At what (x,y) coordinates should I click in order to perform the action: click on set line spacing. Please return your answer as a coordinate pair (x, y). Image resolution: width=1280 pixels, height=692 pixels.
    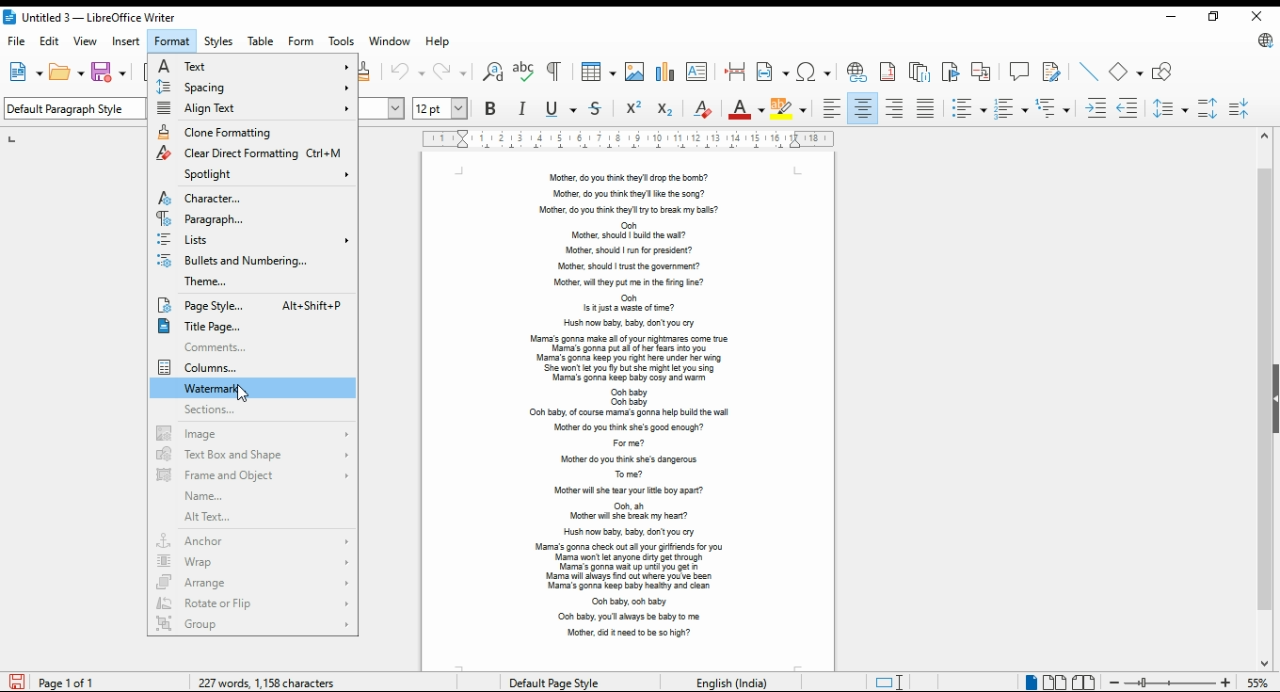
    Looking at the image, I should click on (1170, 109).